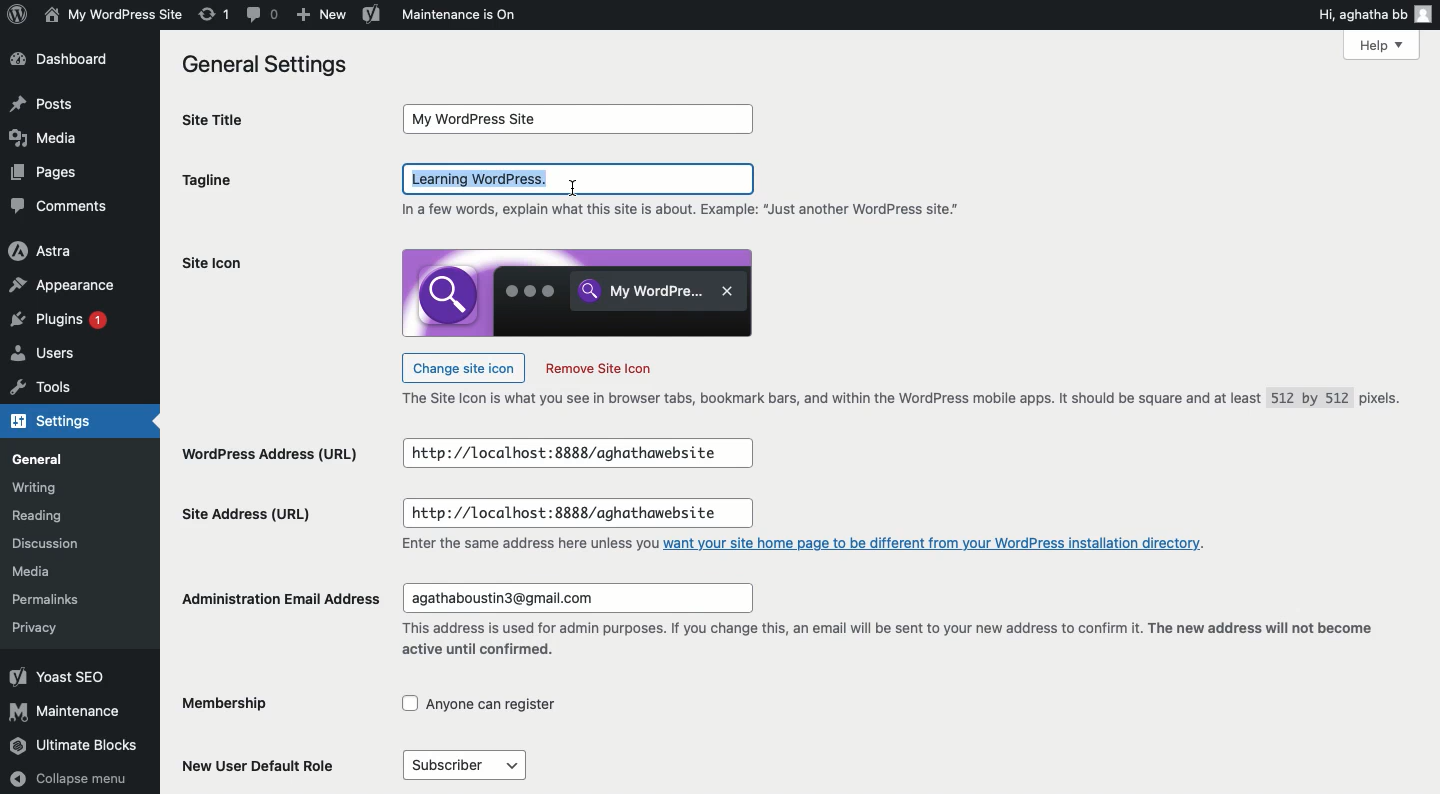 Image resolution: width=1440 pixels, height=794 pixels. Describe the element at coordinates (71, 779) in the screenshot. I see `Collapse menu` at that location.